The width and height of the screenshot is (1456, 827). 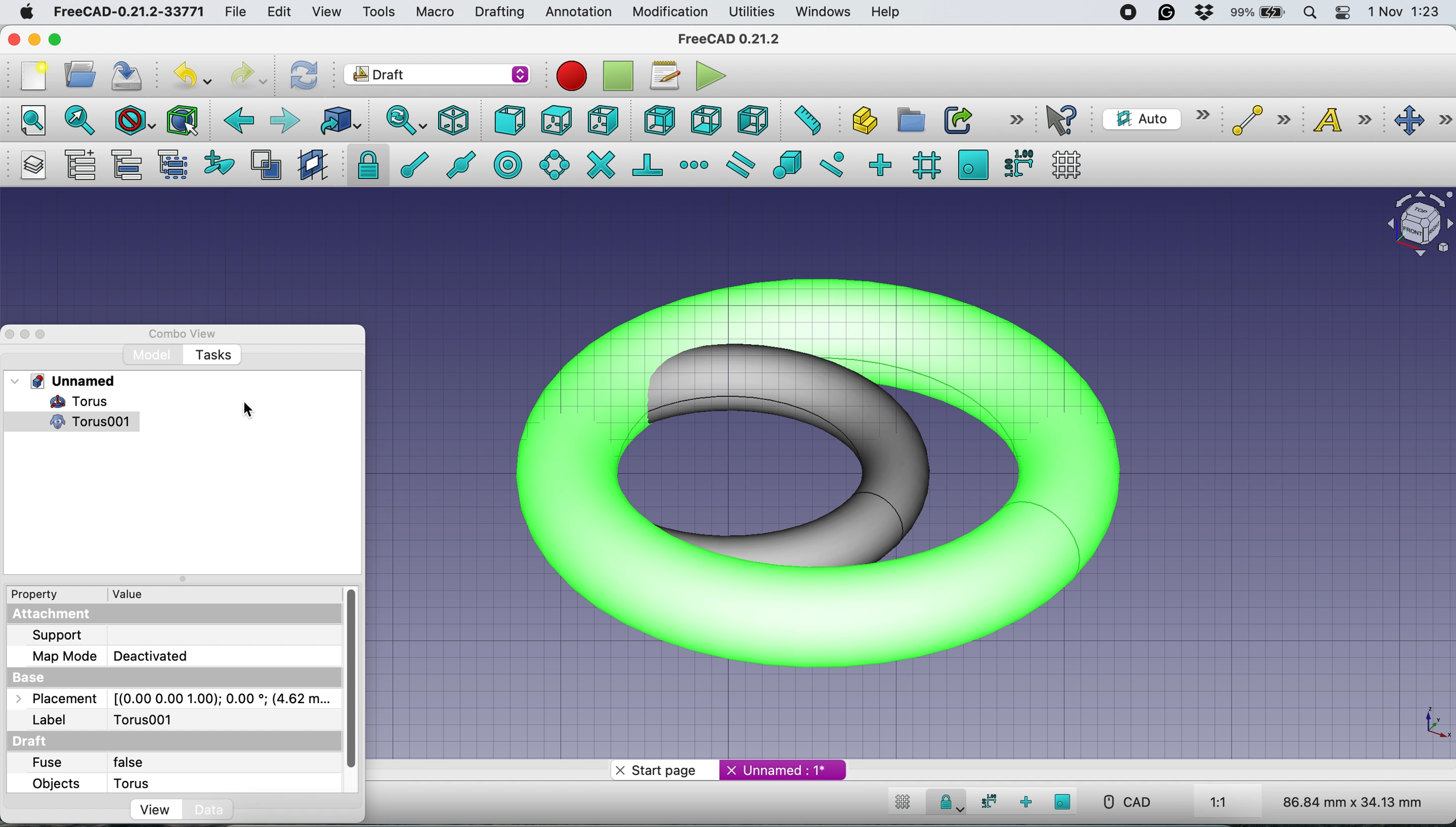 What do you see at coordinates (555, 164) in the screenshot?
I see `snap angle` at bounding box center [555, 164].